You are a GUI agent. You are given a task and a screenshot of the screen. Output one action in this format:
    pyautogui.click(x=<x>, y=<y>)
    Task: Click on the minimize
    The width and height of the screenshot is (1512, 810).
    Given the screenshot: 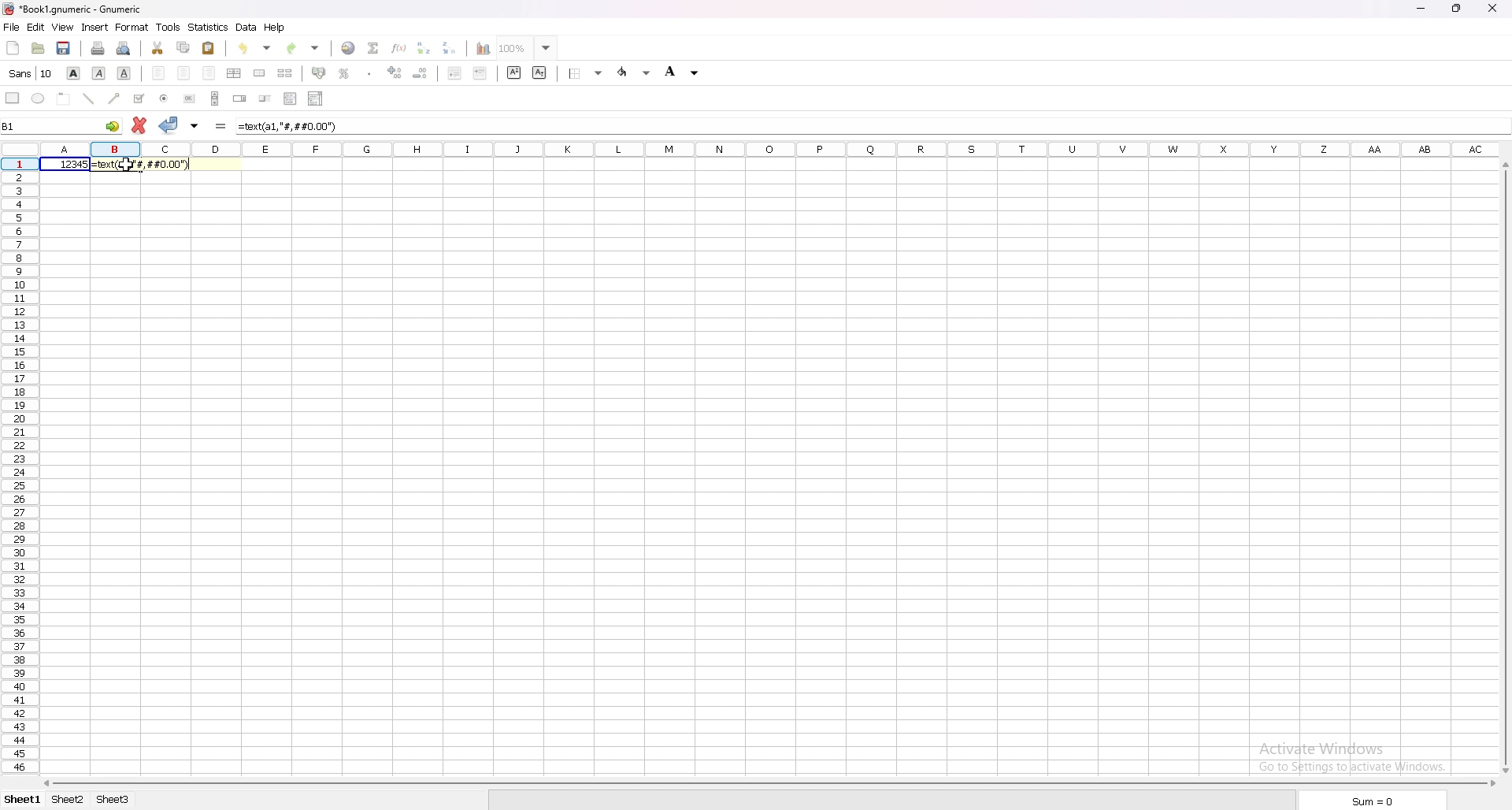 What is the action you would take?
    pyautogui.click(x=1424, y=7)
    